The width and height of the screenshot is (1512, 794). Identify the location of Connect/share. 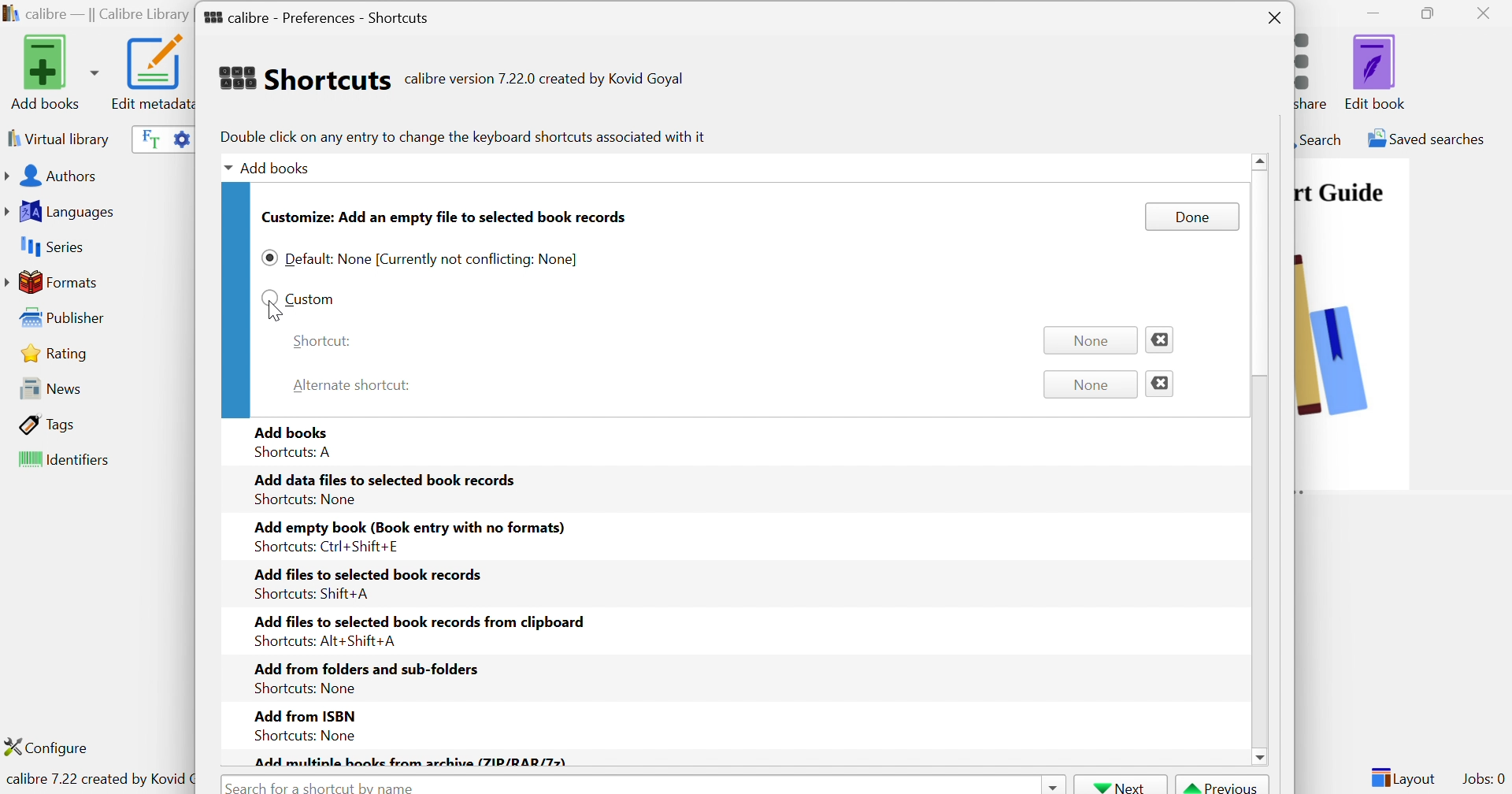
(1316, 68).